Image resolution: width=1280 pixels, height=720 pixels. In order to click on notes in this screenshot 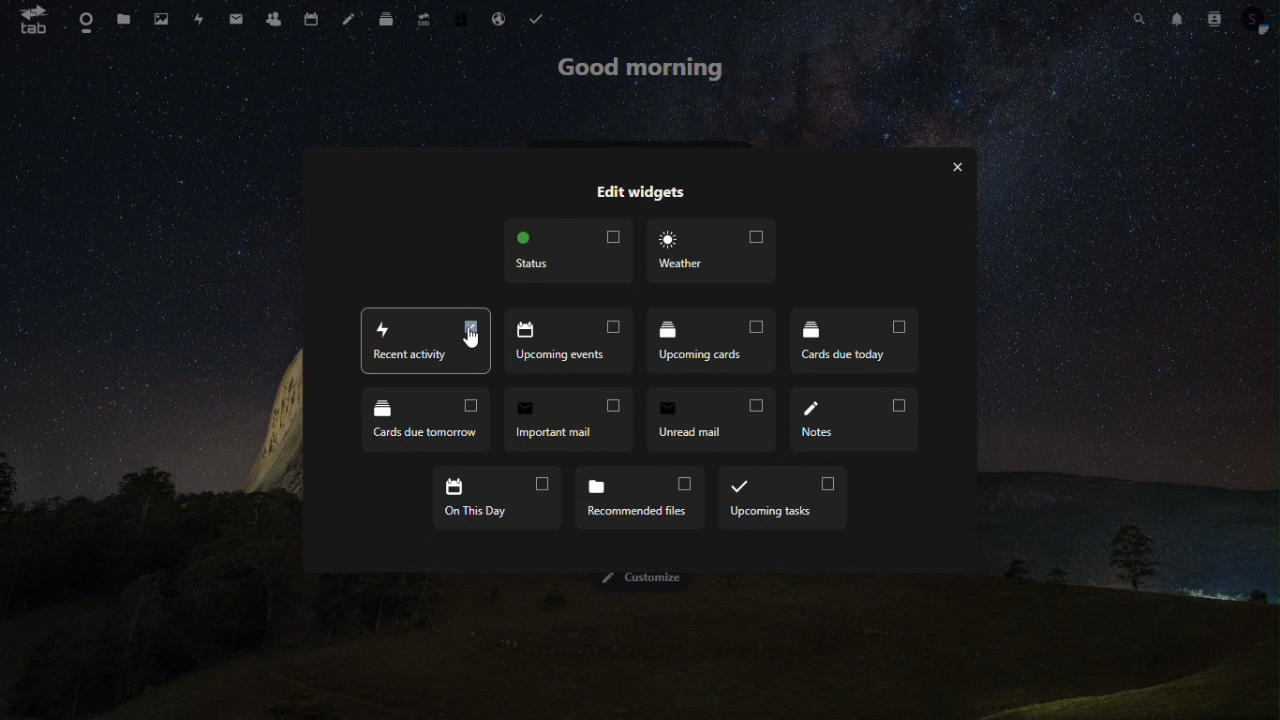, I will do `click(856, 422)`.